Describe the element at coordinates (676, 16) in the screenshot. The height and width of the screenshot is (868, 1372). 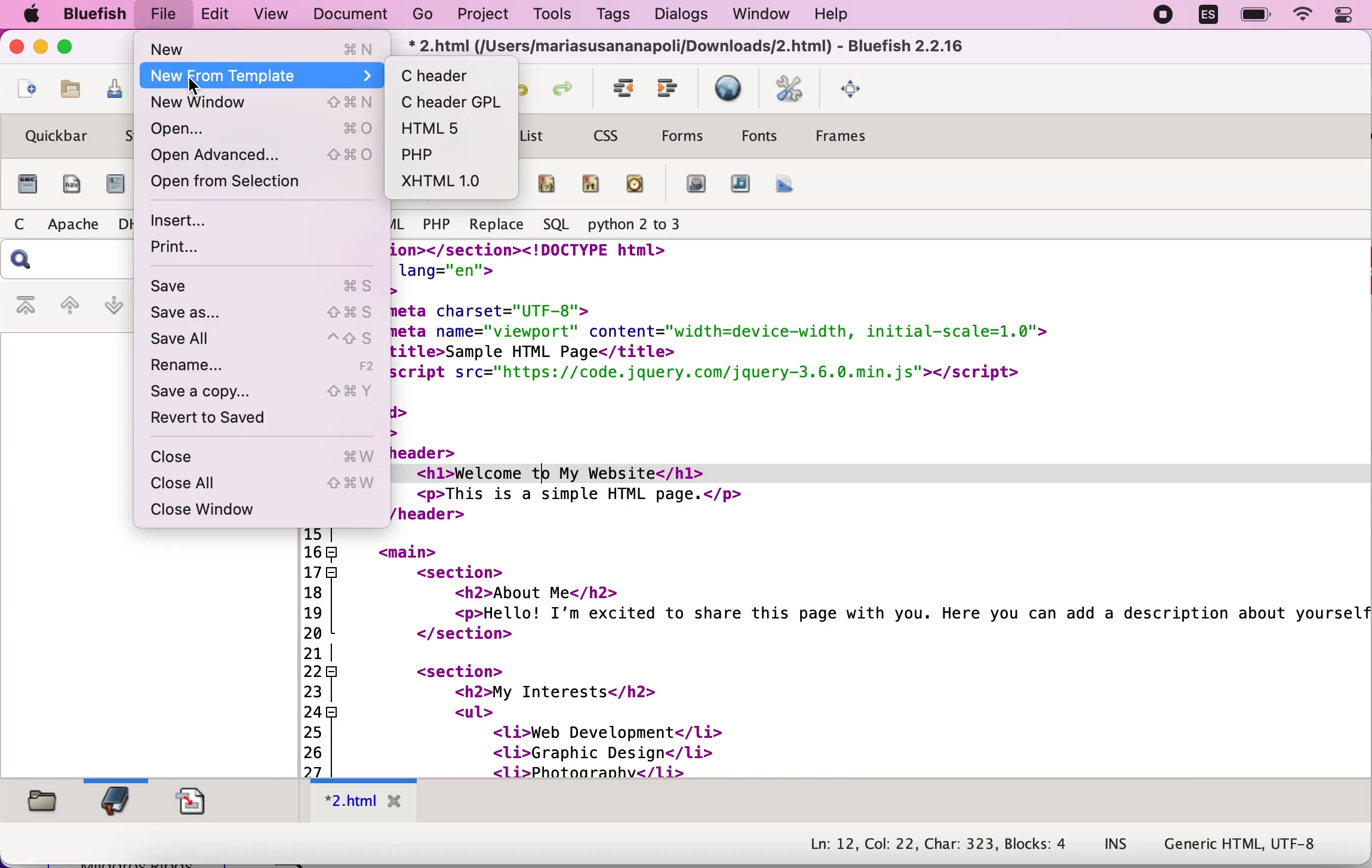
I see `dialogs` at that location.